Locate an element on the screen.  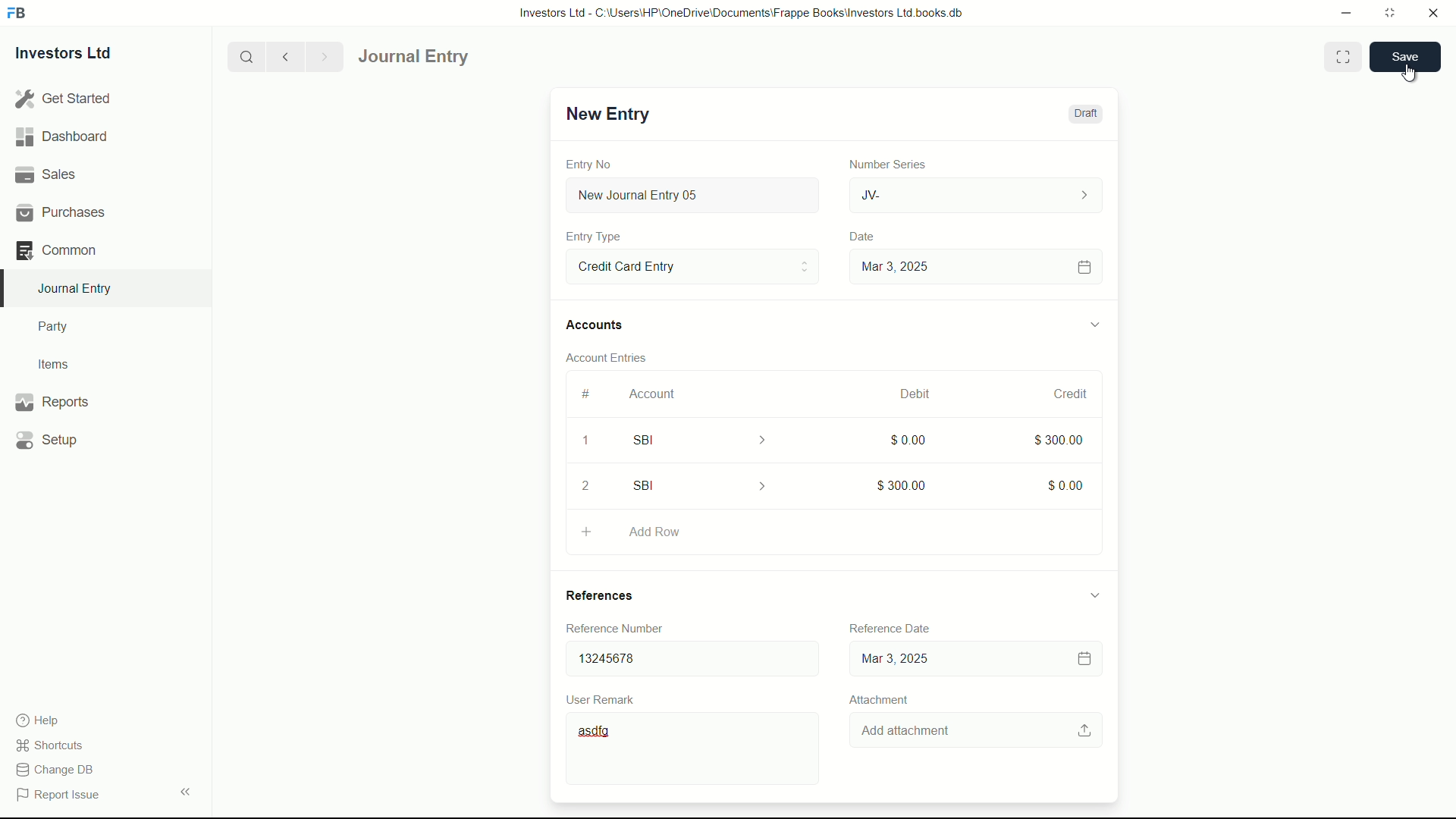
Account is located at coordinates (653, 394).